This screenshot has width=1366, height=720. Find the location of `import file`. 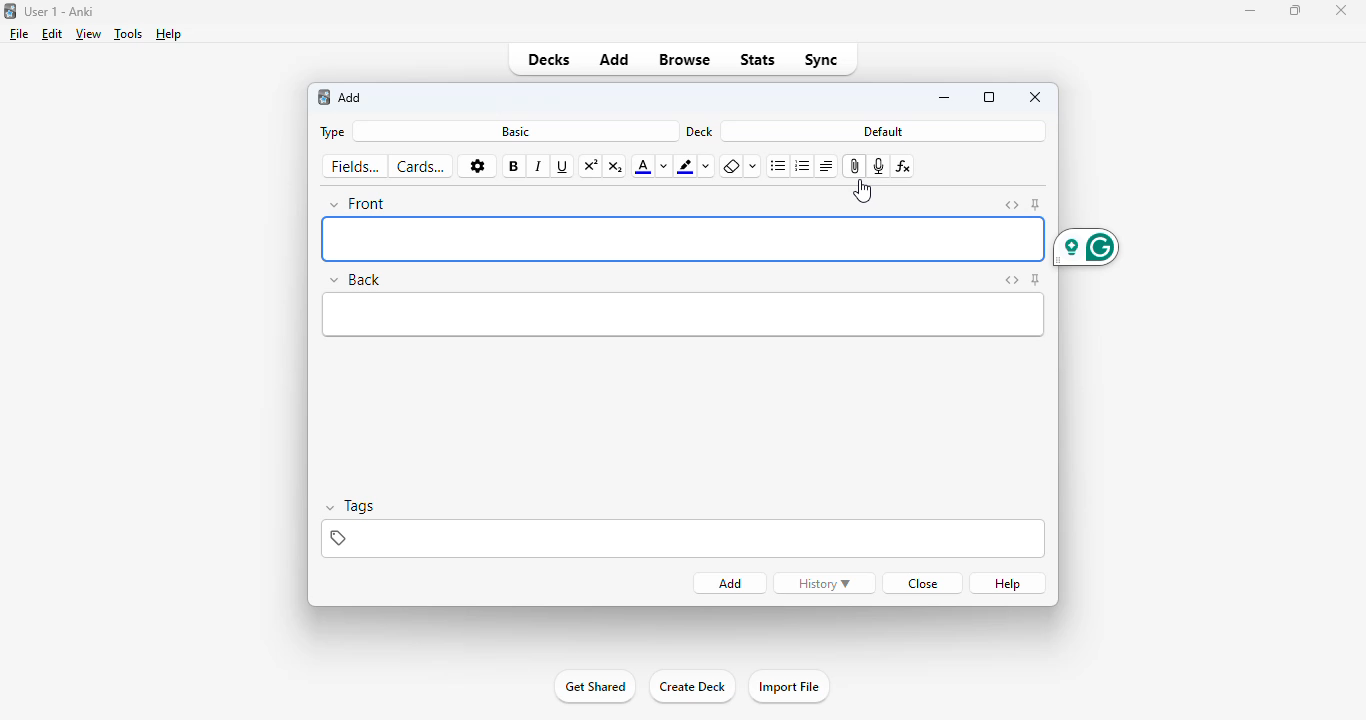

import file is located at coordinates (787, 687).